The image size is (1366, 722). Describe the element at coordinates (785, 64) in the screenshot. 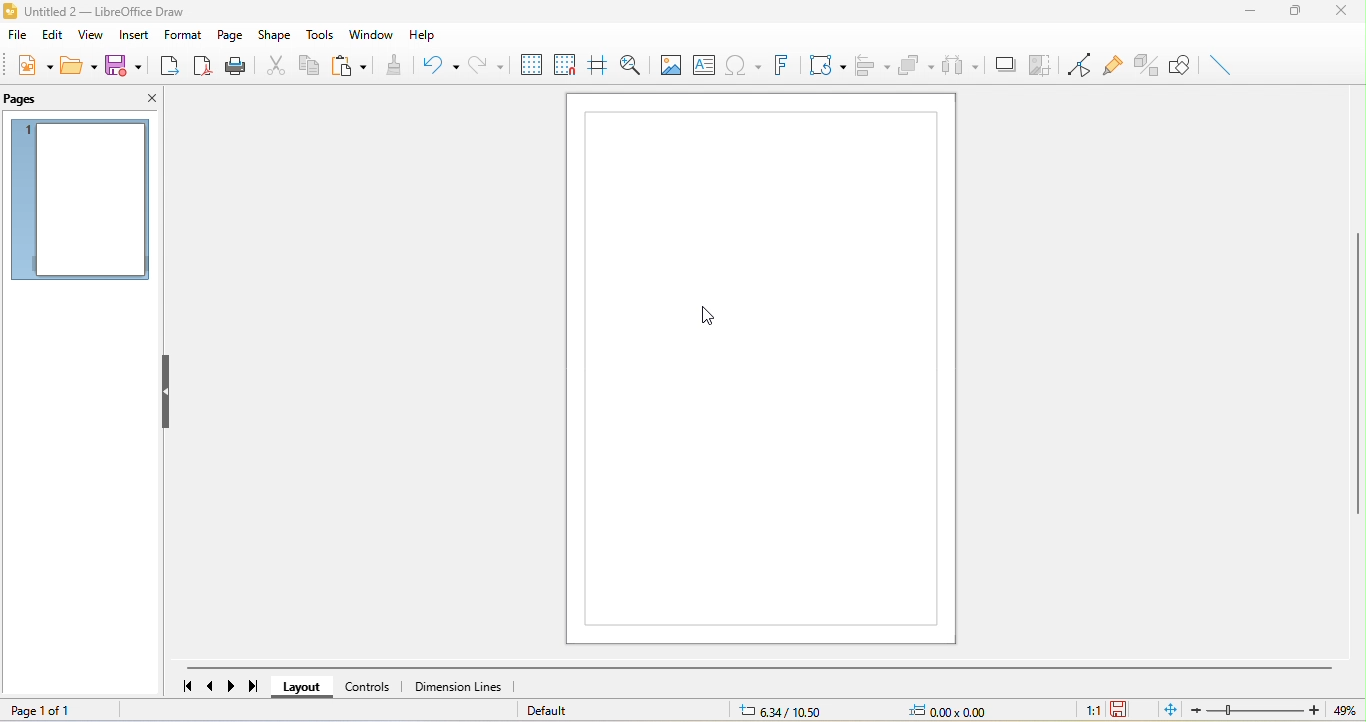

I see `font work text` at that location.